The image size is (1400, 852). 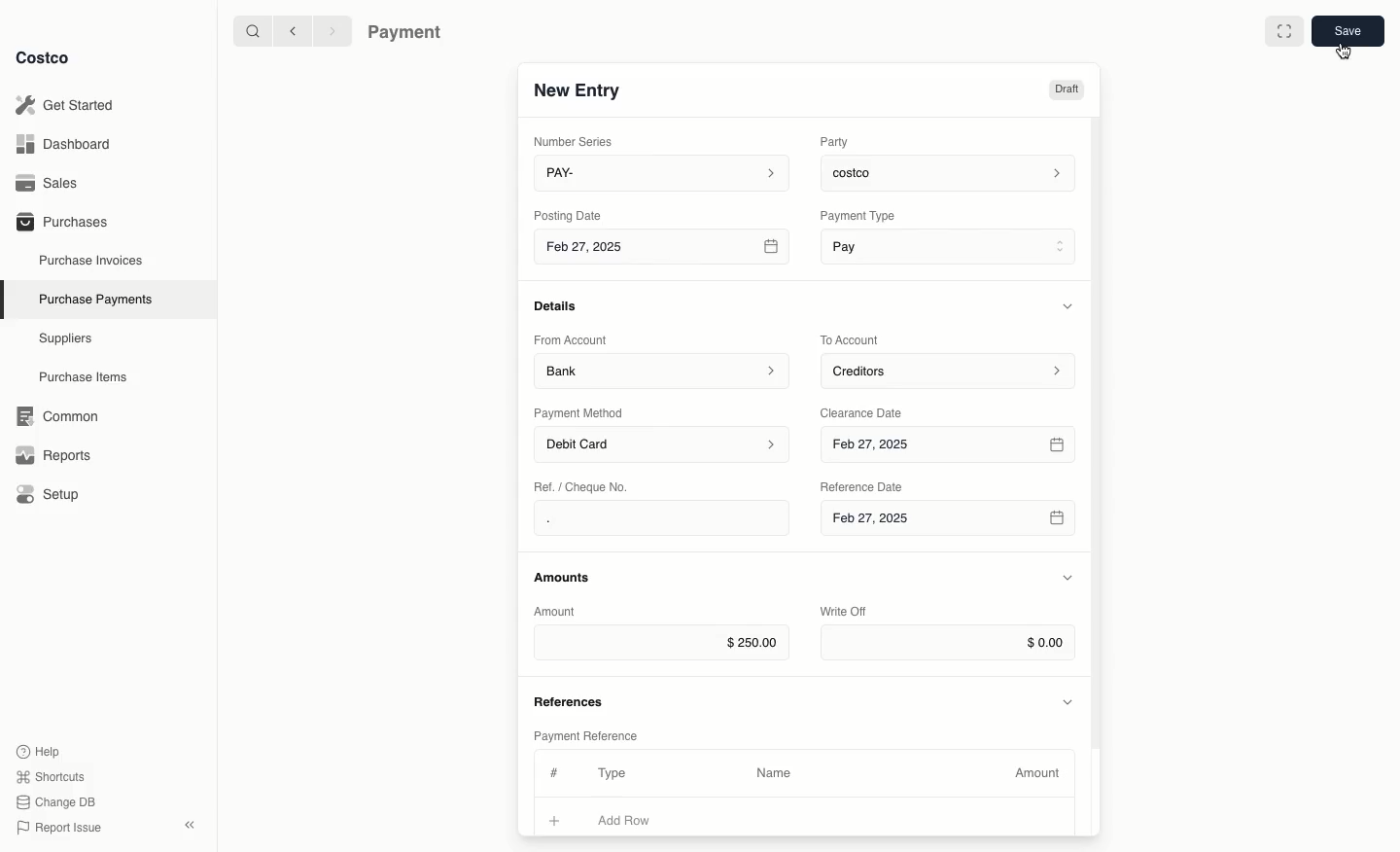 What do you see at coordinates (663, 172) in the screenshot?
I see `PAY-` at bounding box center [663, 172].